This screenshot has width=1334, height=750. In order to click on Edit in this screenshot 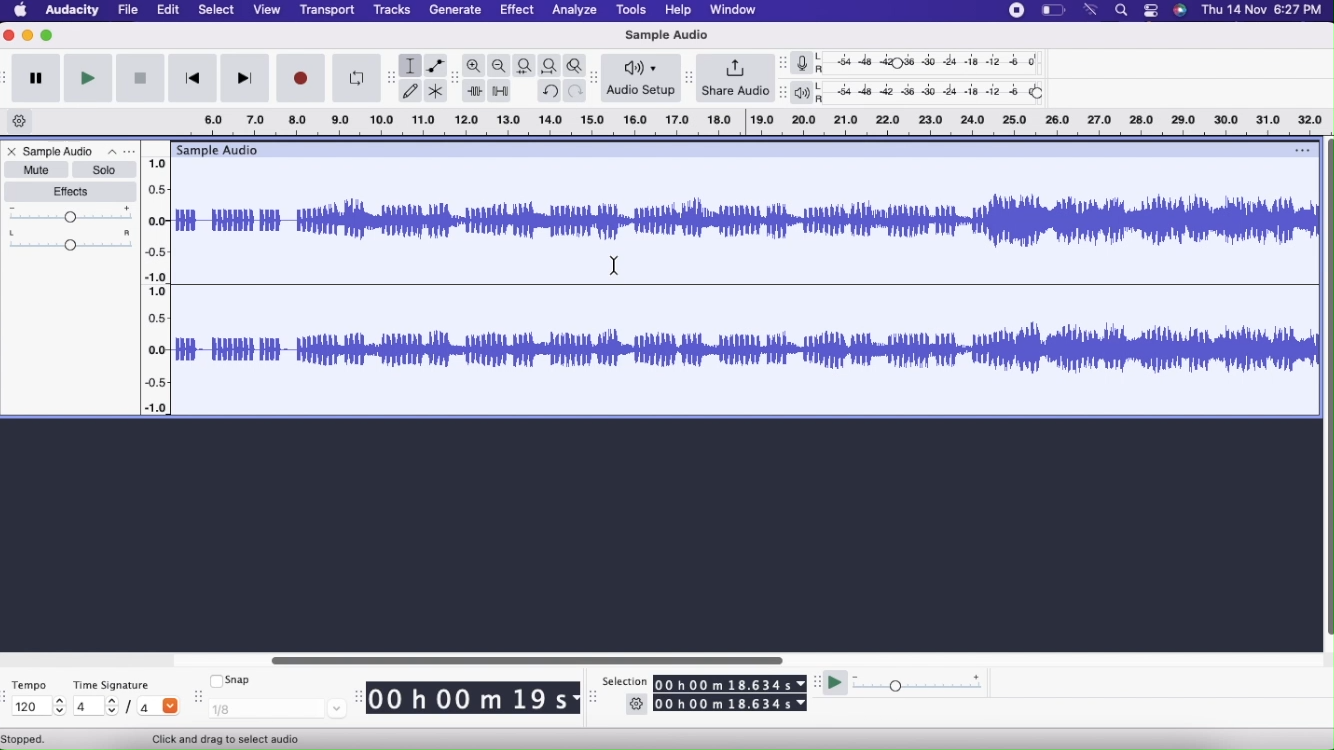, I will do `click(171, 11)`.